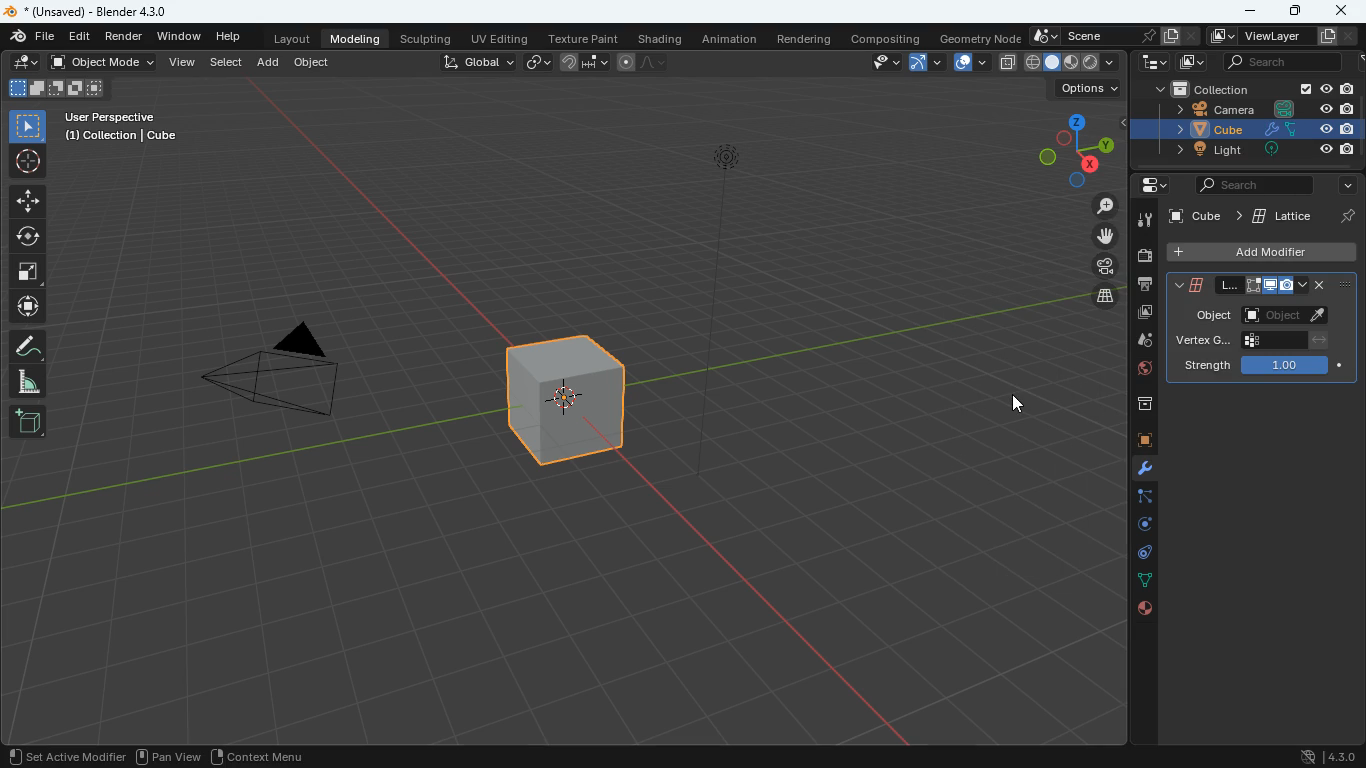 The height and width of the screenshot is (768, 1366). I want to click on blender, so click(32, 36).